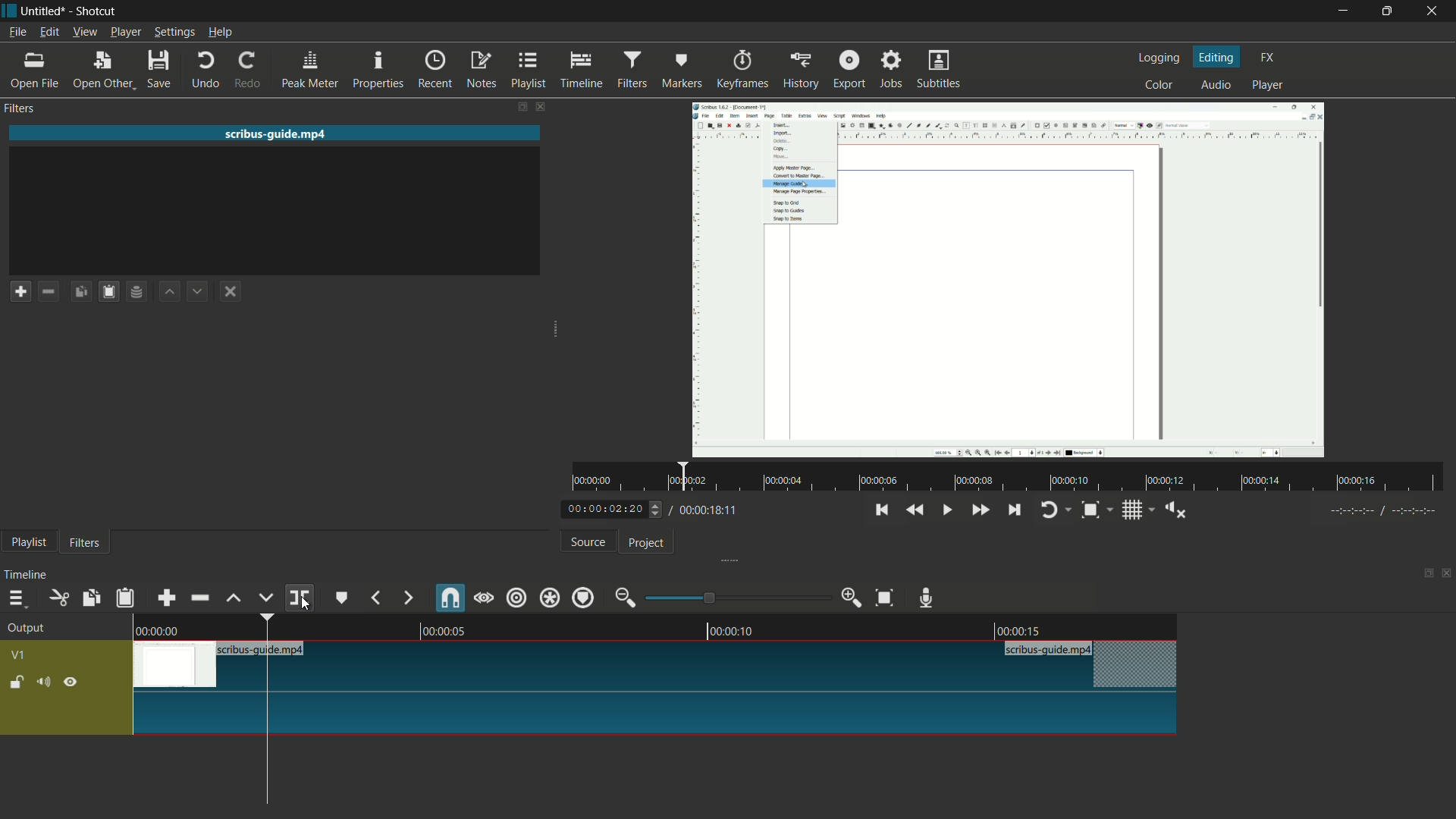  I want to click on scrub while dragging, so click(483, 597).